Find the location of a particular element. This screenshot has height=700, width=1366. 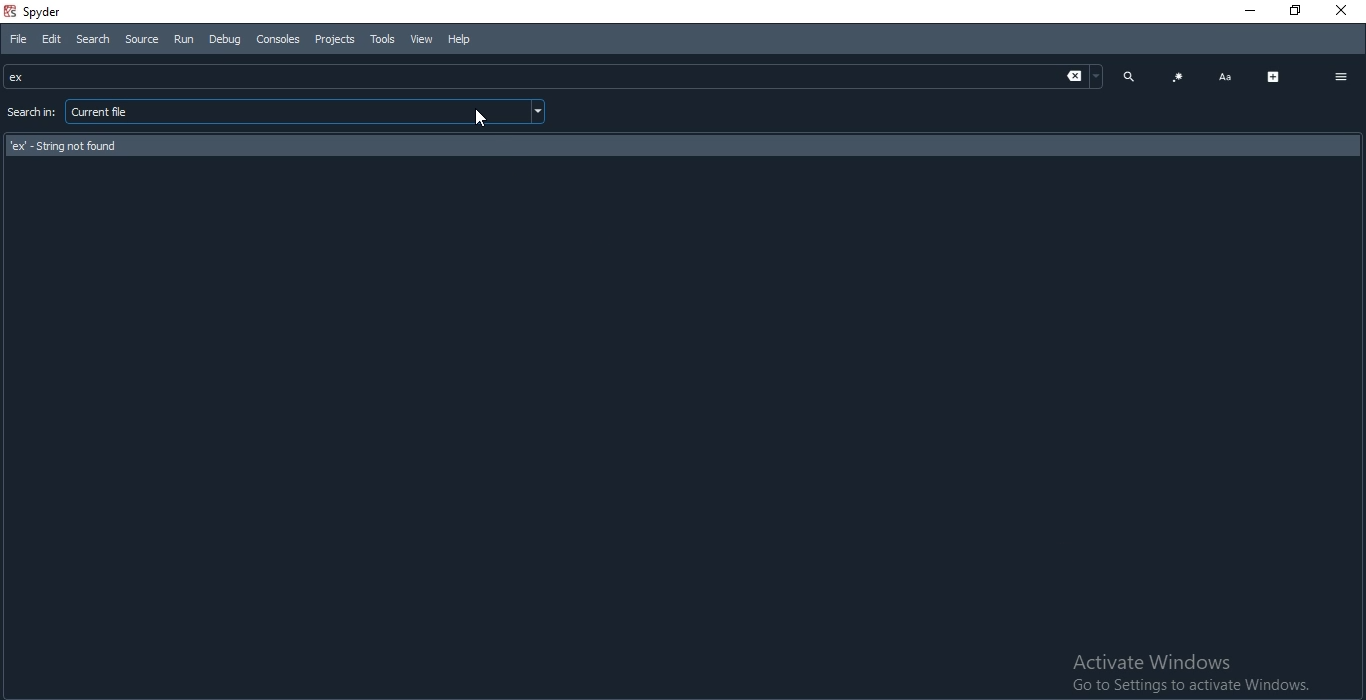

spyder is located at coordinates (38, 12).